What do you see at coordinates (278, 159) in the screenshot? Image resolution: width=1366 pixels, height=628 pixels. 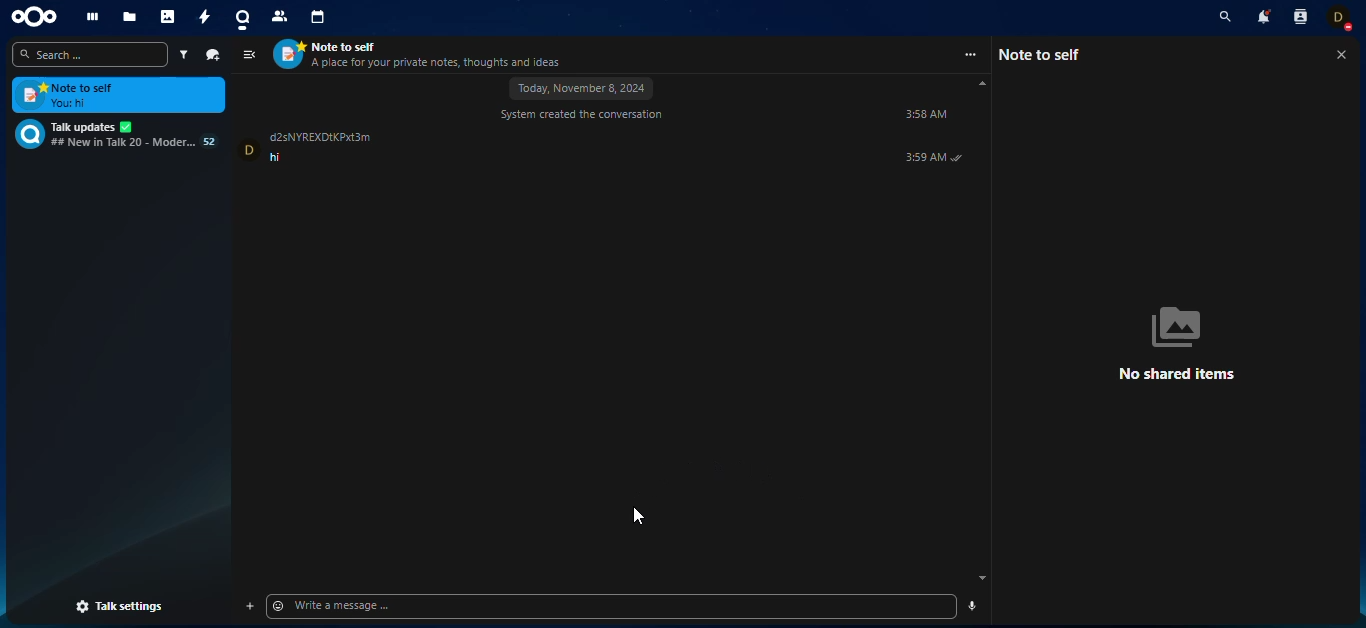 I see `message sent` at bounding box center [278, 159].